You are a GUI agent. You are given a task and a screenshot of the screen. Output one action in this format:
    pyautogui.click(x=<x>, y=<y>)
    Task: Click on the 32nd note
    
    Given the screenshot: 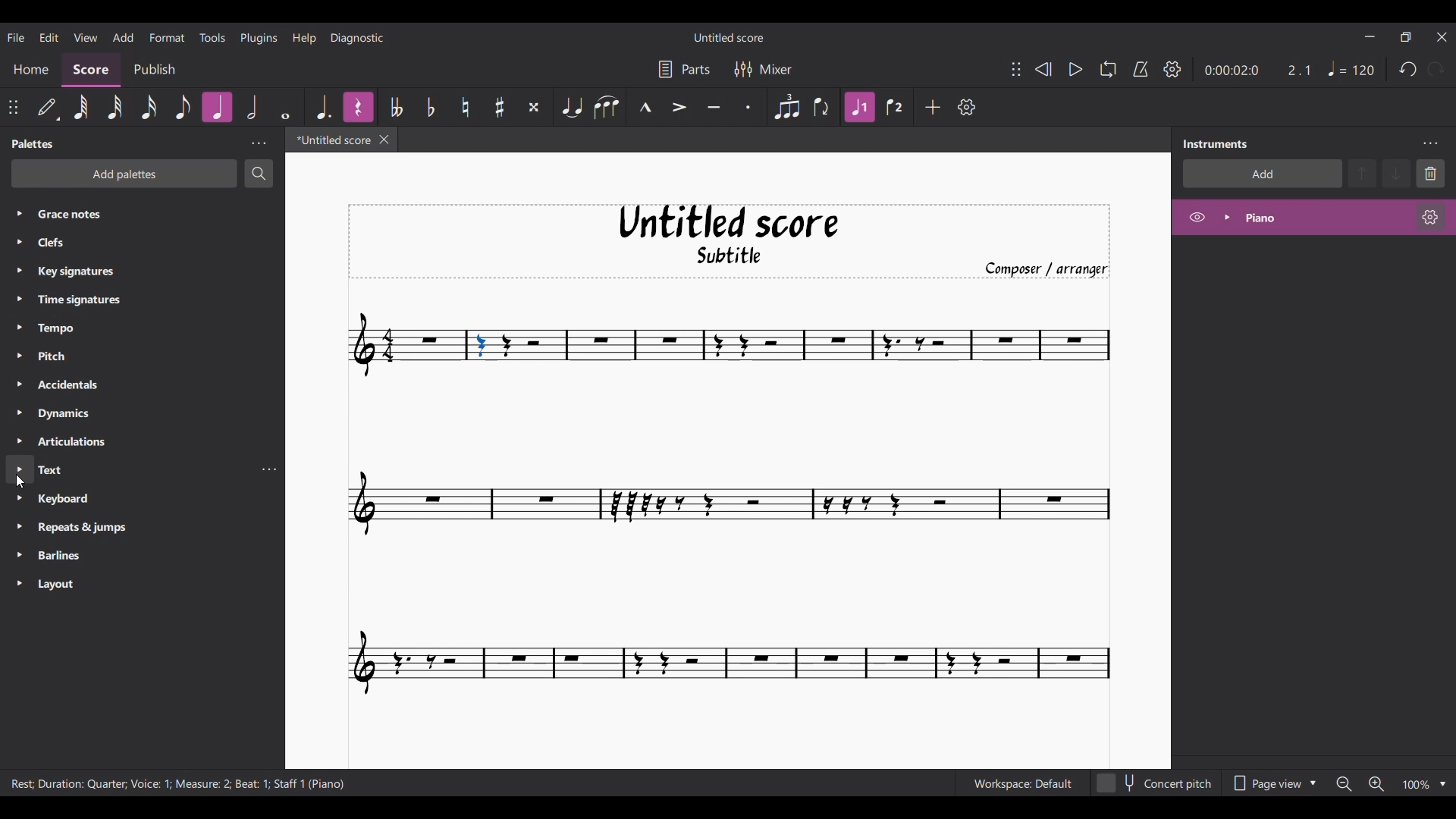 What is the action you would take?
    pyautogui.click(x=115, y=106)
    